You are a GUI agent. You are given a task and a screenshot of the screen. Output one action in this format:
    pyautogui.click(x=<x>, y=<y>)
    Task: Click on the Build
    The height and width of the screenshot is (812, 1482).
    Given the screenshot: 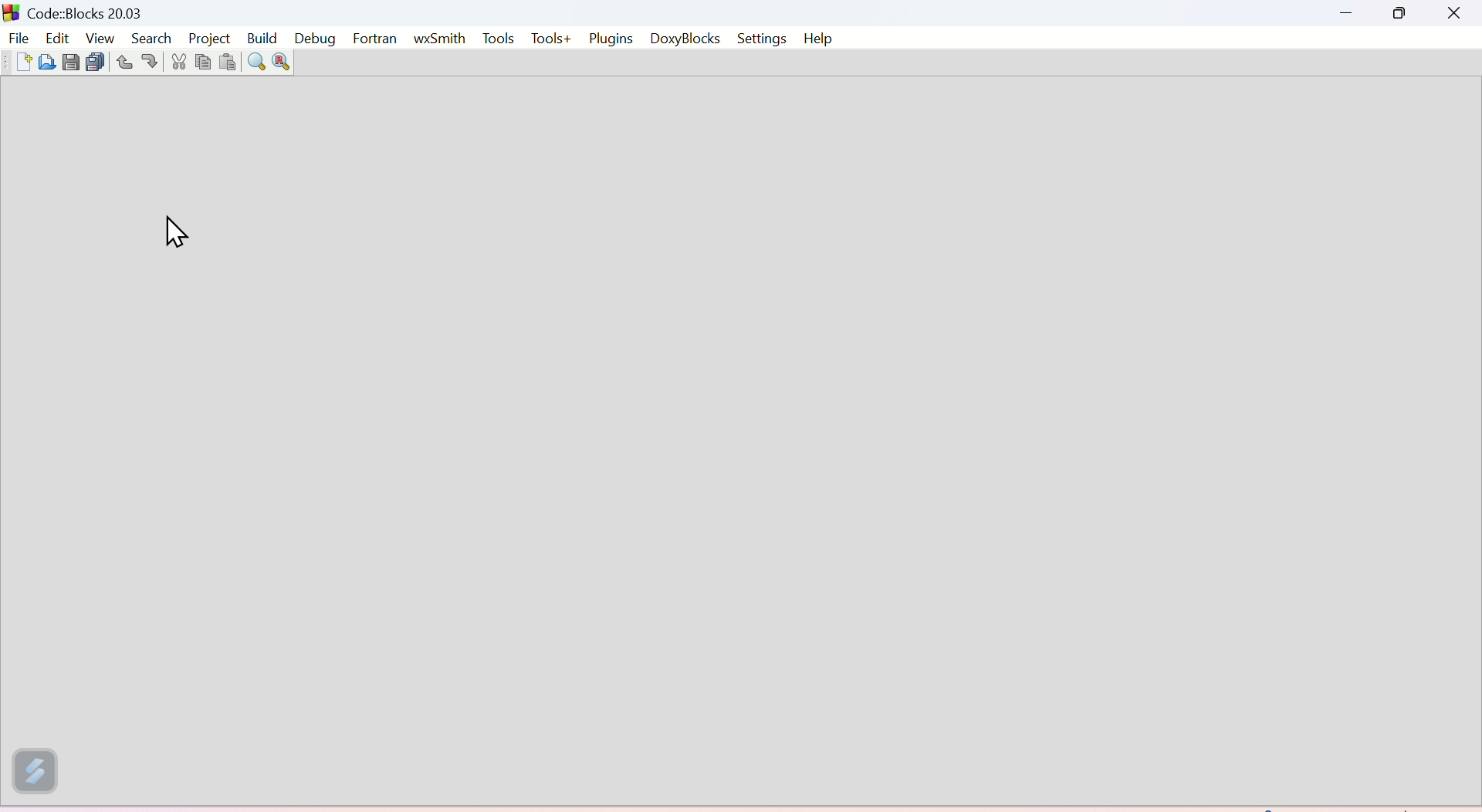 What is the action you would take?
    pyautogui.click(x=261, y=37)
    